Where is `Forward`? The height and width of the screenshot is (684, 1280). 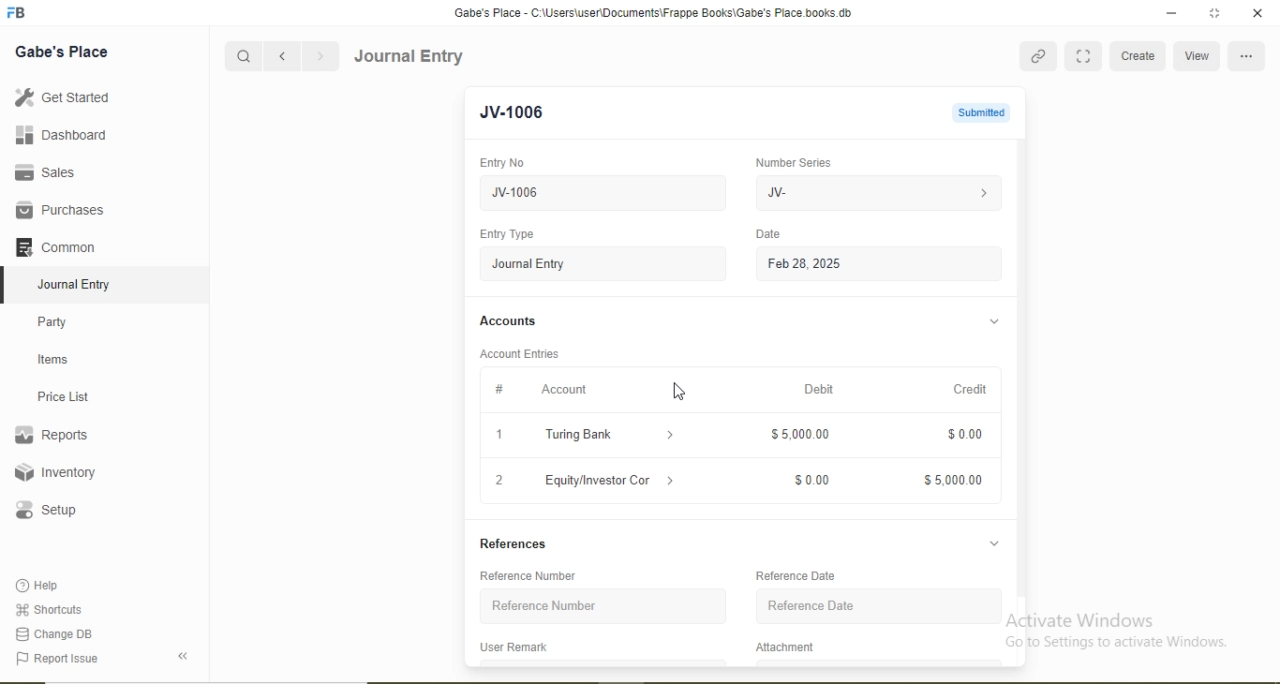 Forward is located at coordinates (321, 56).